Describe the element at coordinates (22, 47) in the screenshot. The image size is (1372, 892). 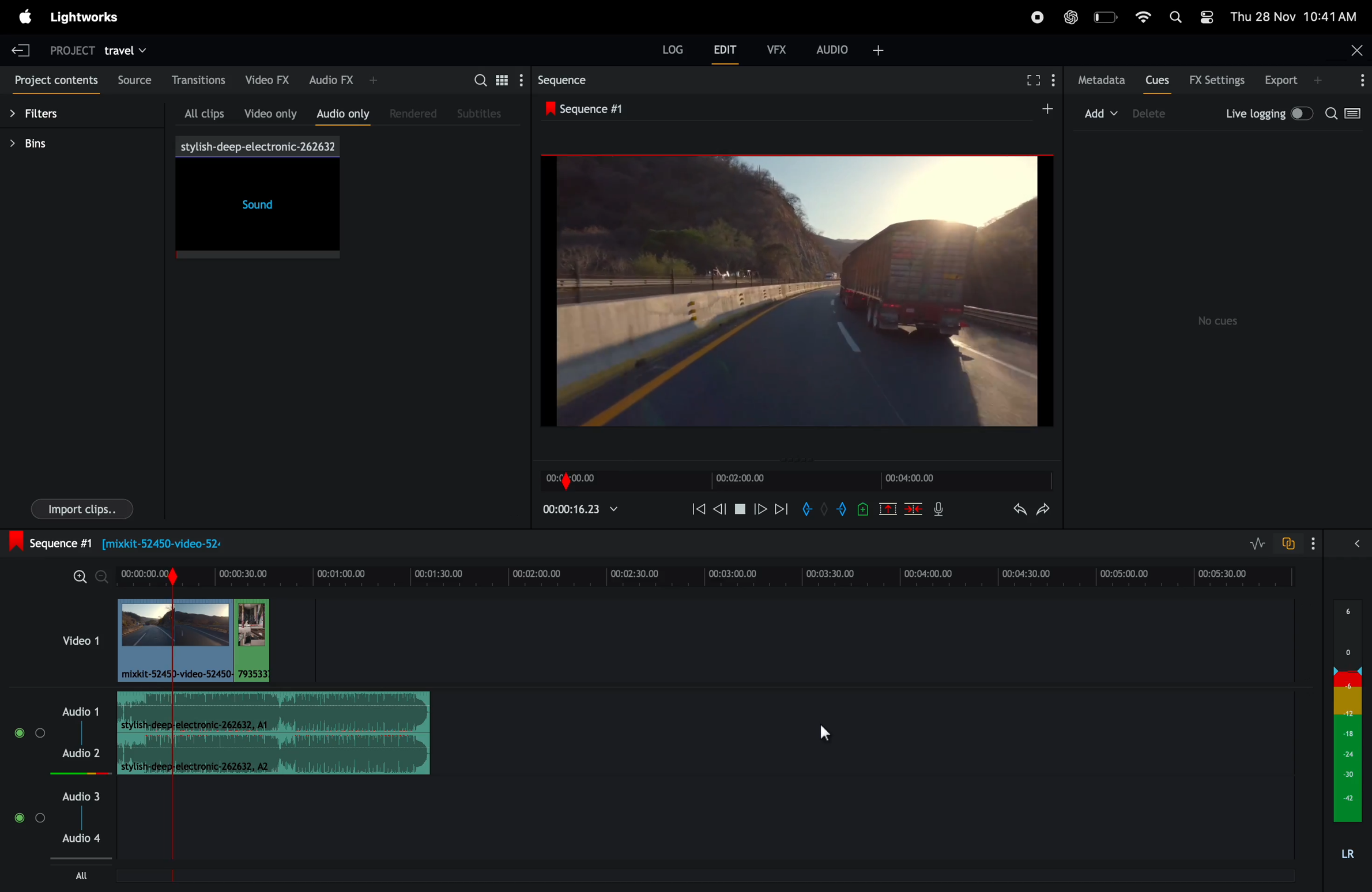
I see `exit` at that location.